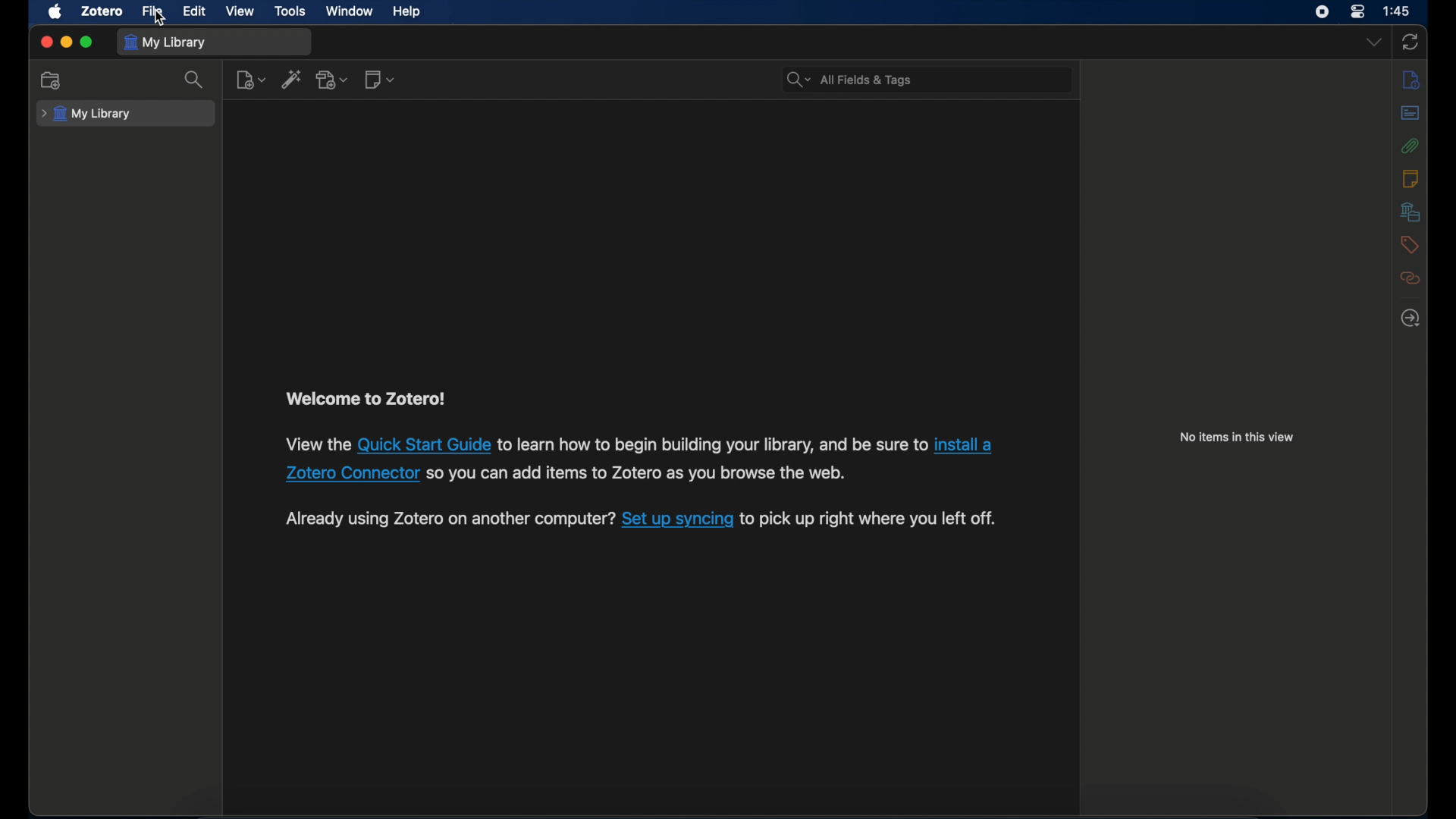 The width and height of the screenshot is (1456, 819). I want to click on Zotero Connect, so click(350, 472).